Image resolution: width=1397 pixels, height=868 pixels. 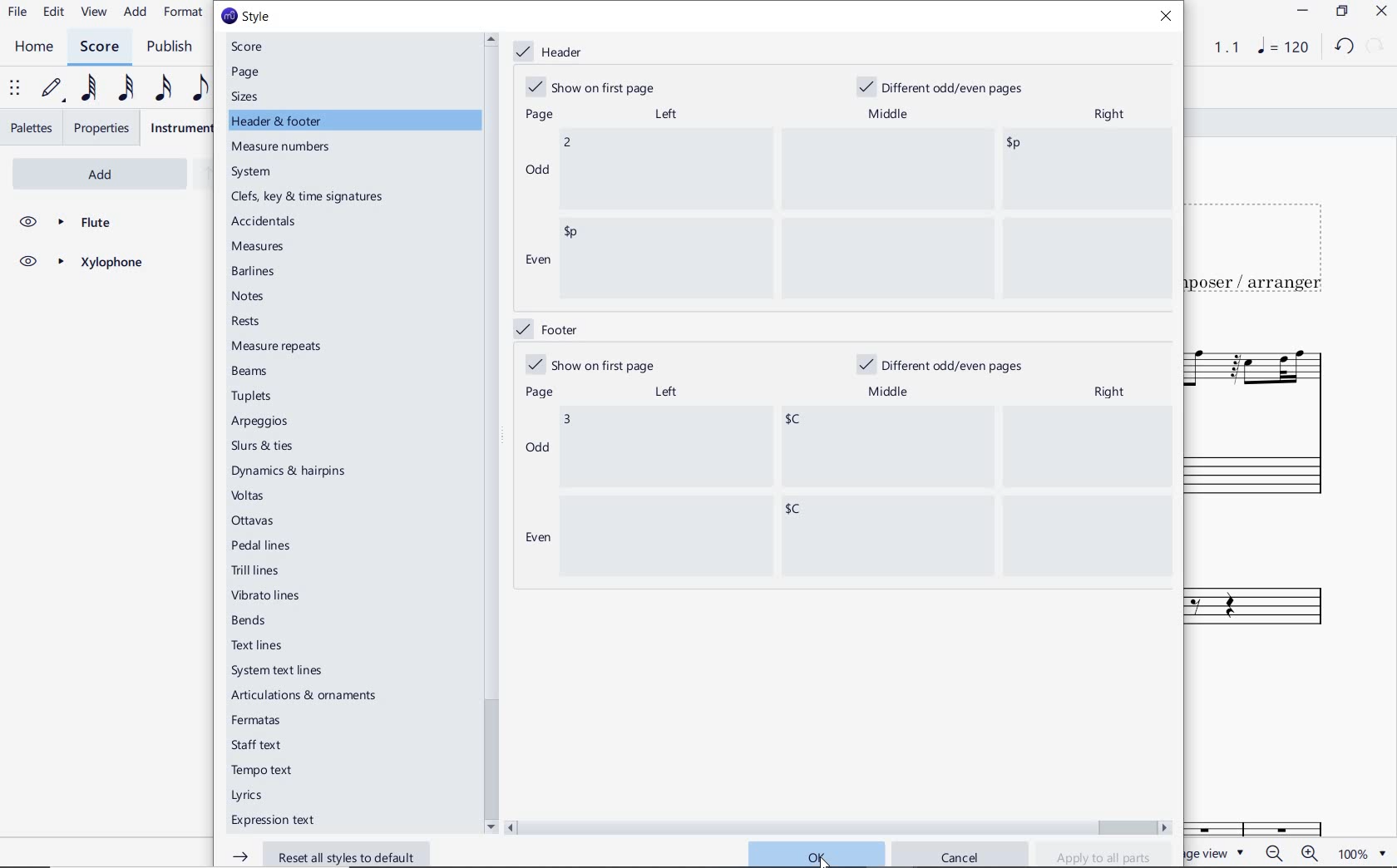 What do you see at coordinates (866, 214) in the screenshot?
I see `data entered "2"` at bounding box center [866, 214].